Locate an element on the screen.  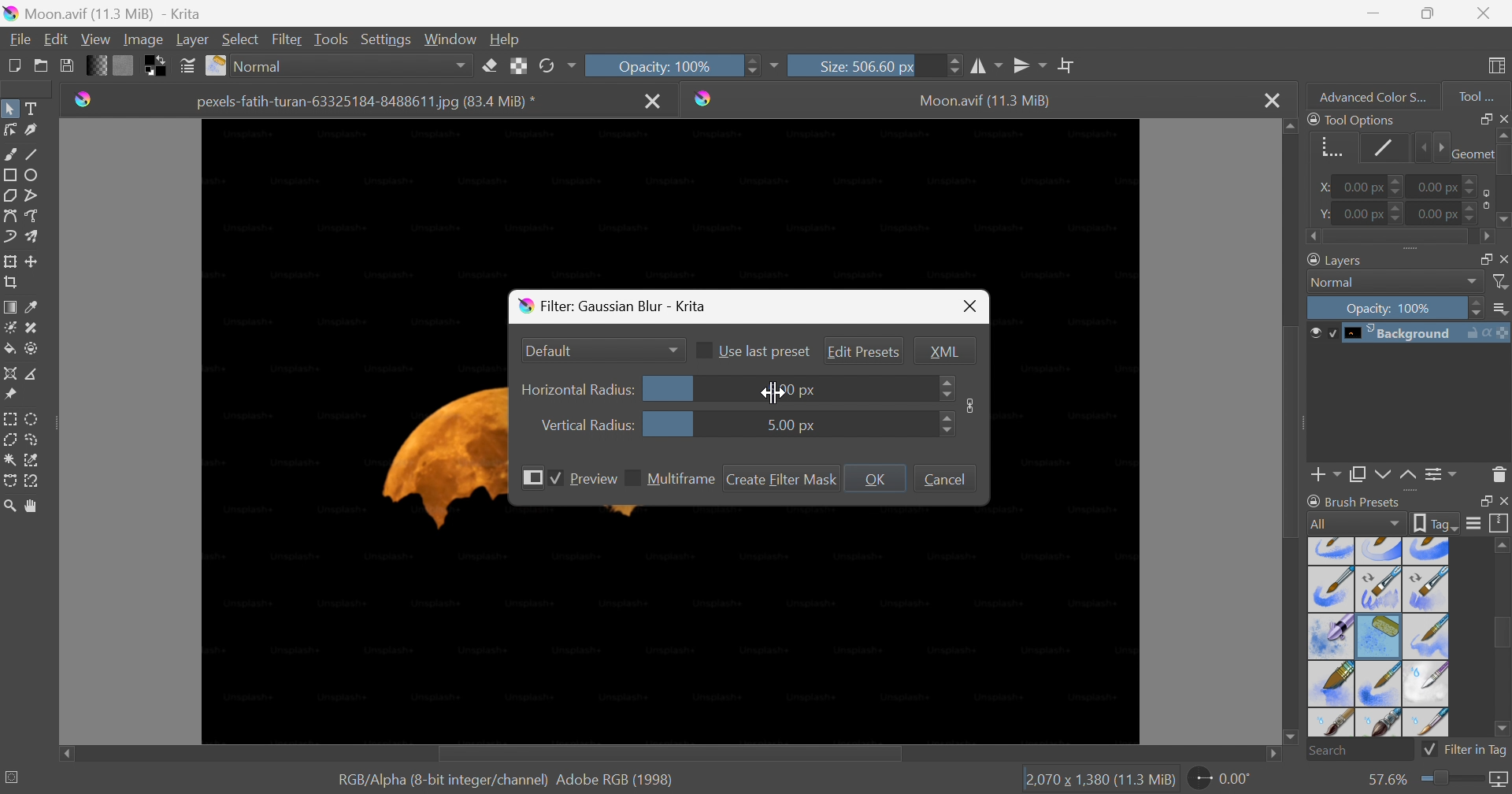
0.00 px is located at coordinates (1368, 213).